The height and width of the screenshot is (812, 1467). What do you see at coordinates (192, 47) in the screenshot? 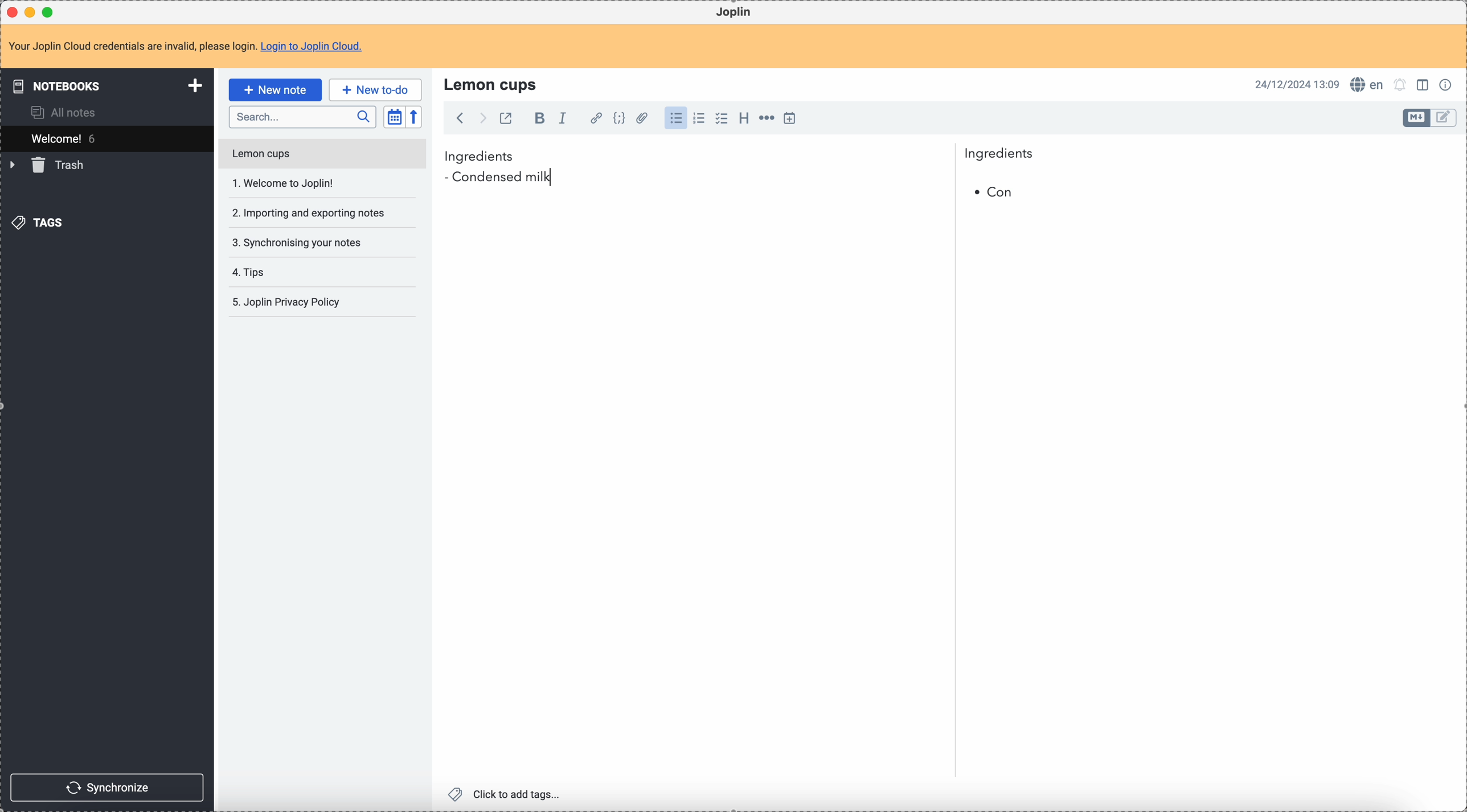
I see `note` at bounding box center [192, 47].